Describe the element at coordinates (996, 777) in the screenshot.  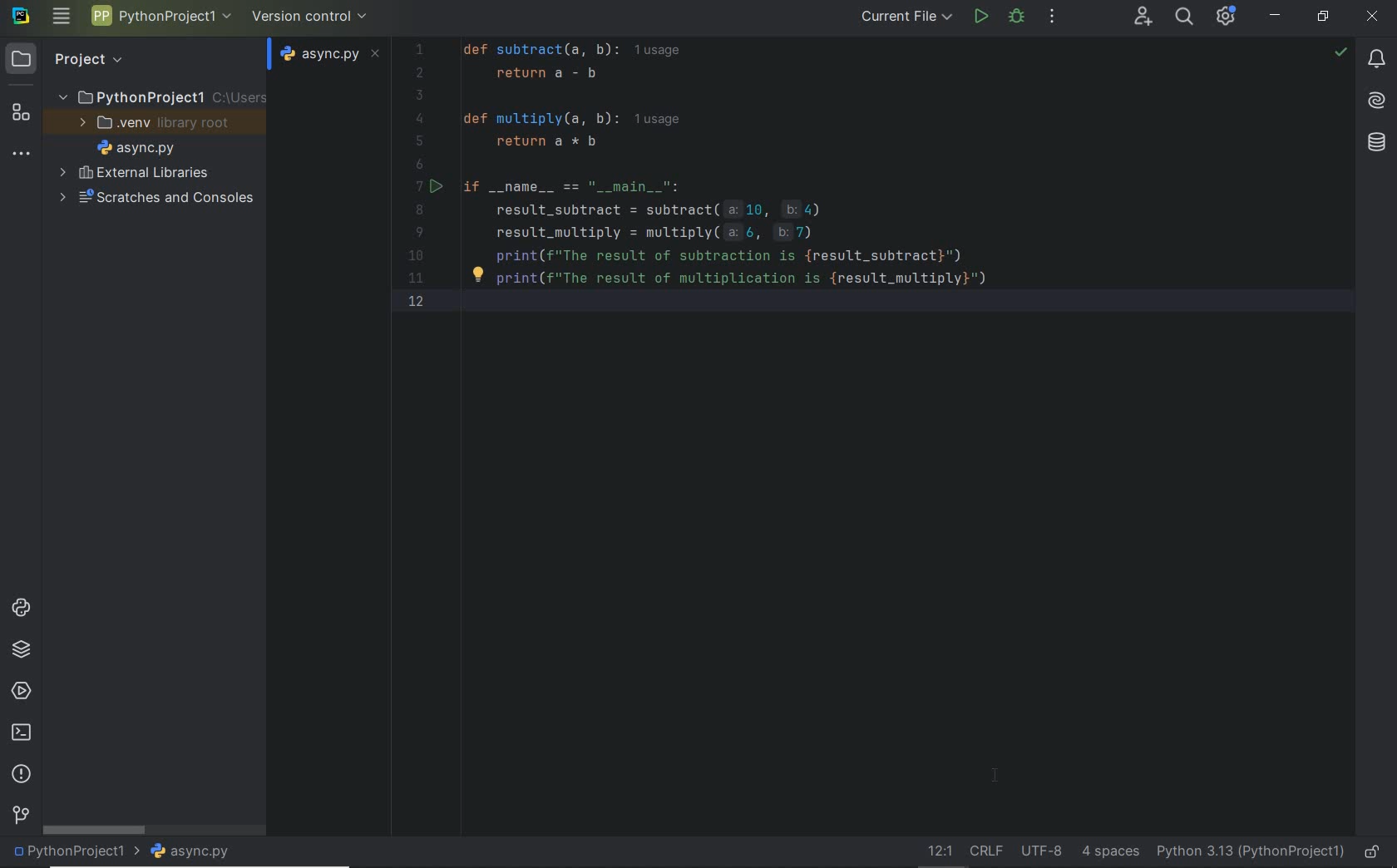
I see `Cursor Position AFTER_LAST_ACTION` at that location.